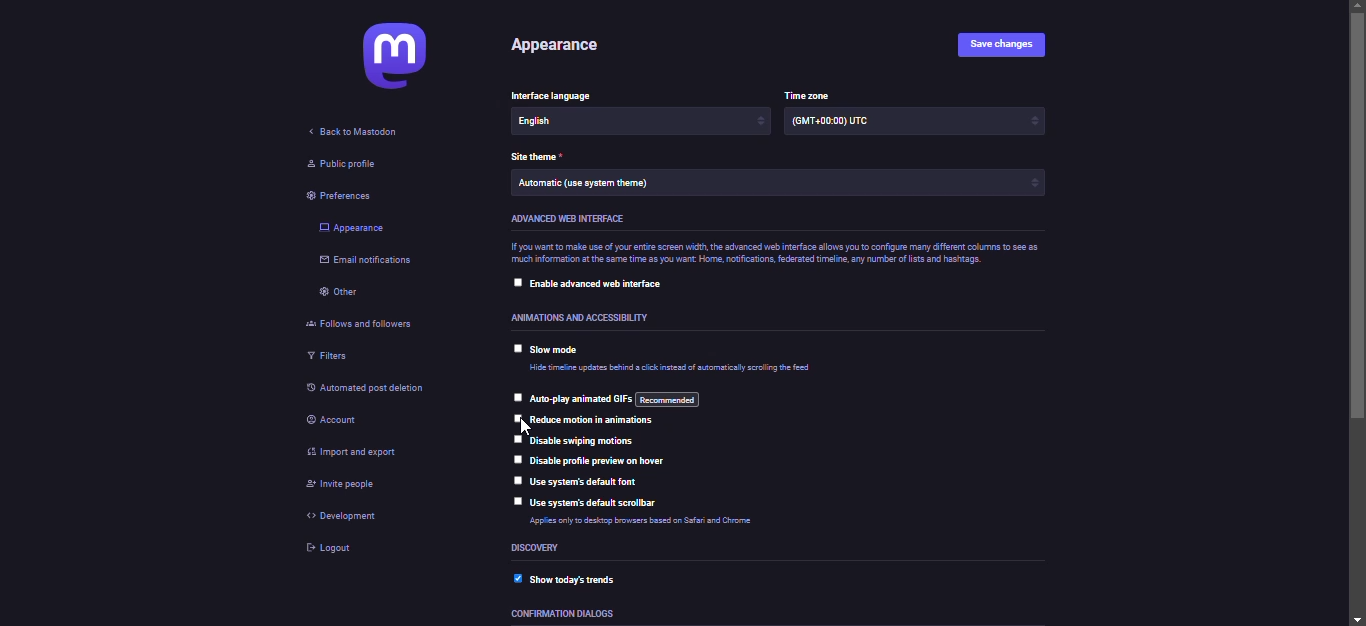 Image resolution: width=1366 pixels, height=626 pixels. What do you see at coordinates (847, 123) in the screenshot?
I see `time zone` at bounding box center [847, 123].